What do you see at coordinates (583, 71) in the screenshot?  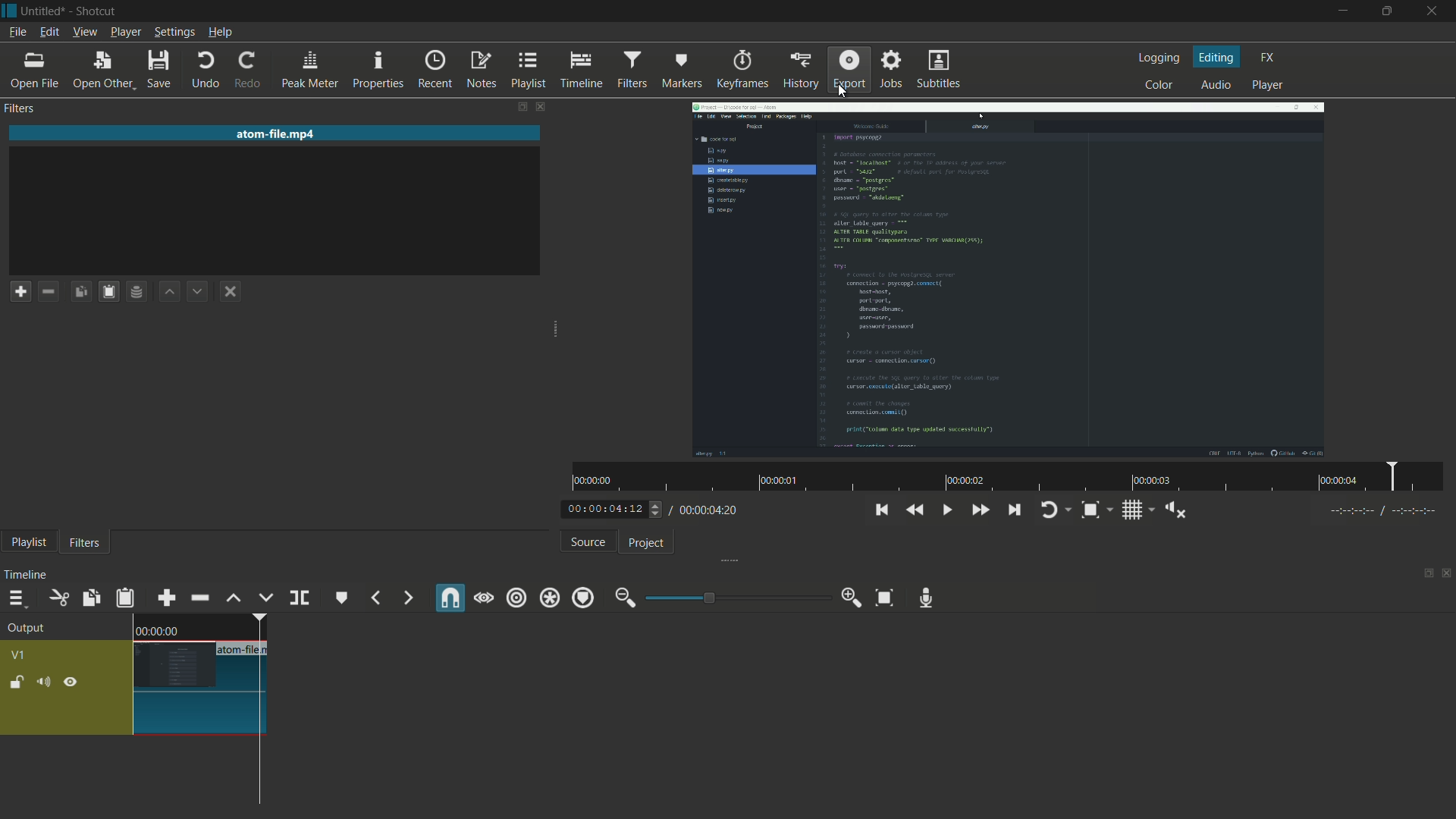 I see `timeline` at bounding box center [583, 71].